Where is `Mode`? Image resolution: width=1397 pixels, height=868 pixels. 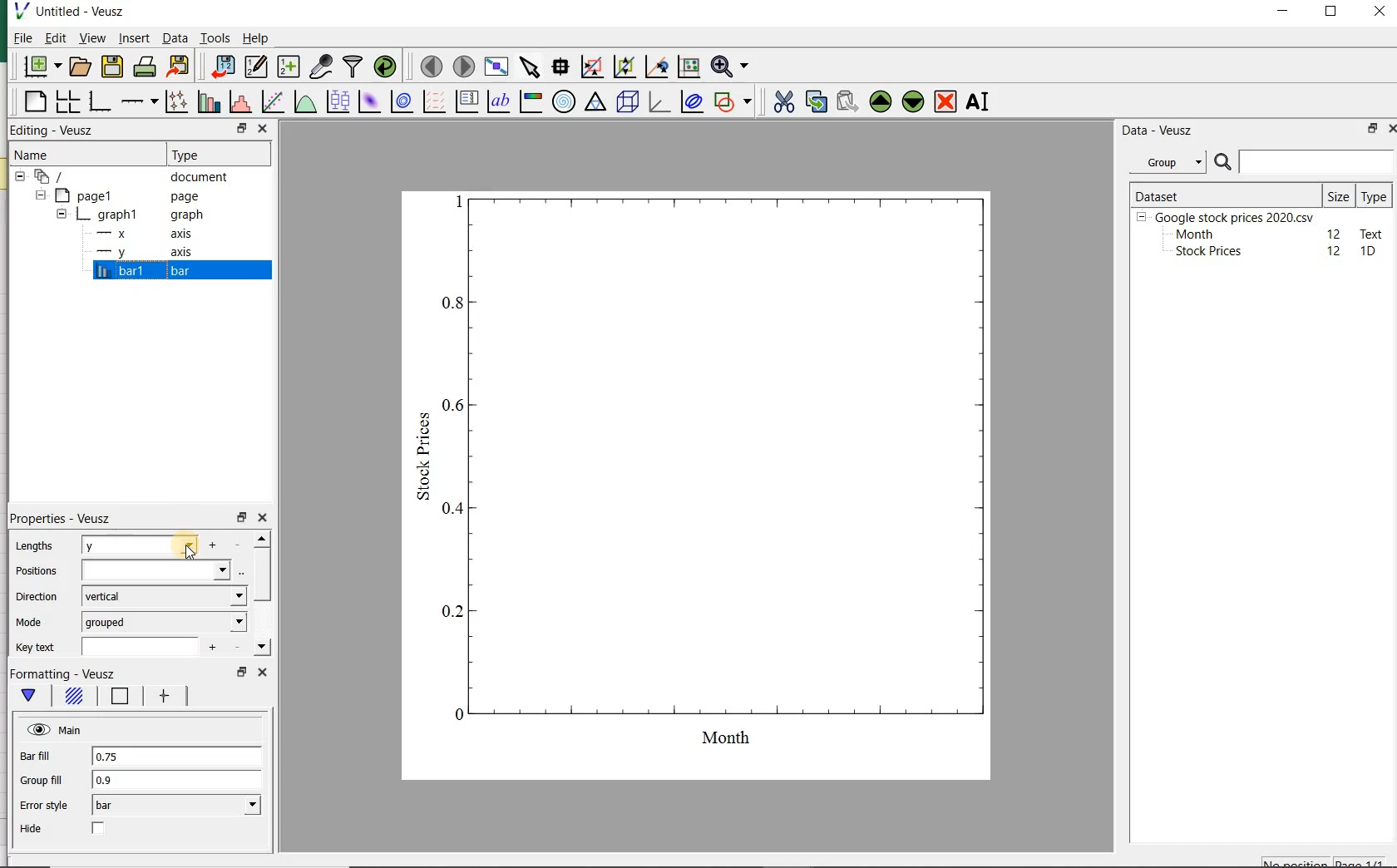
Mode is located at coordinates (31, 621).